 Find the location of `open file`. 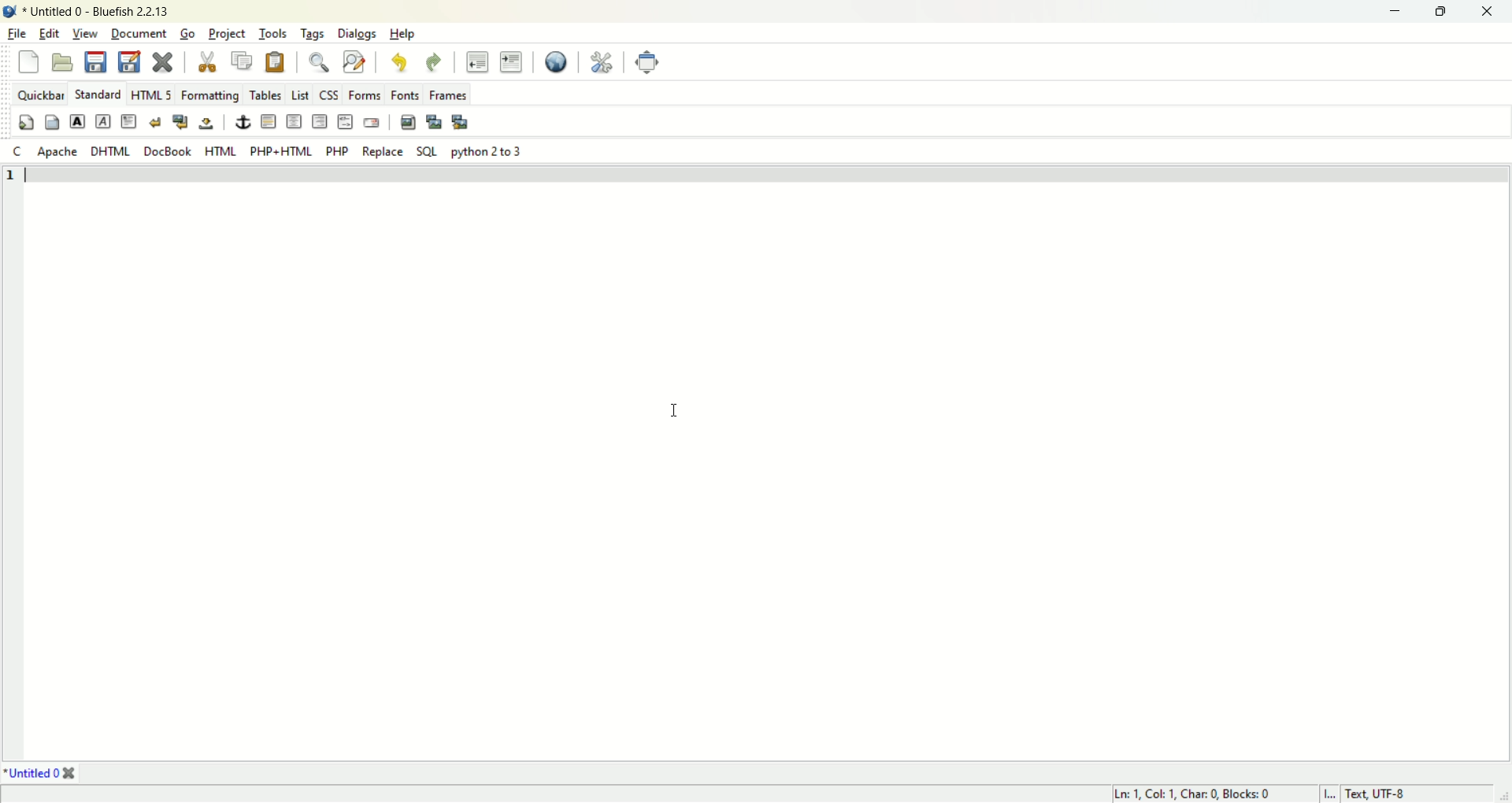

open file is located at coordinates (63, 62).